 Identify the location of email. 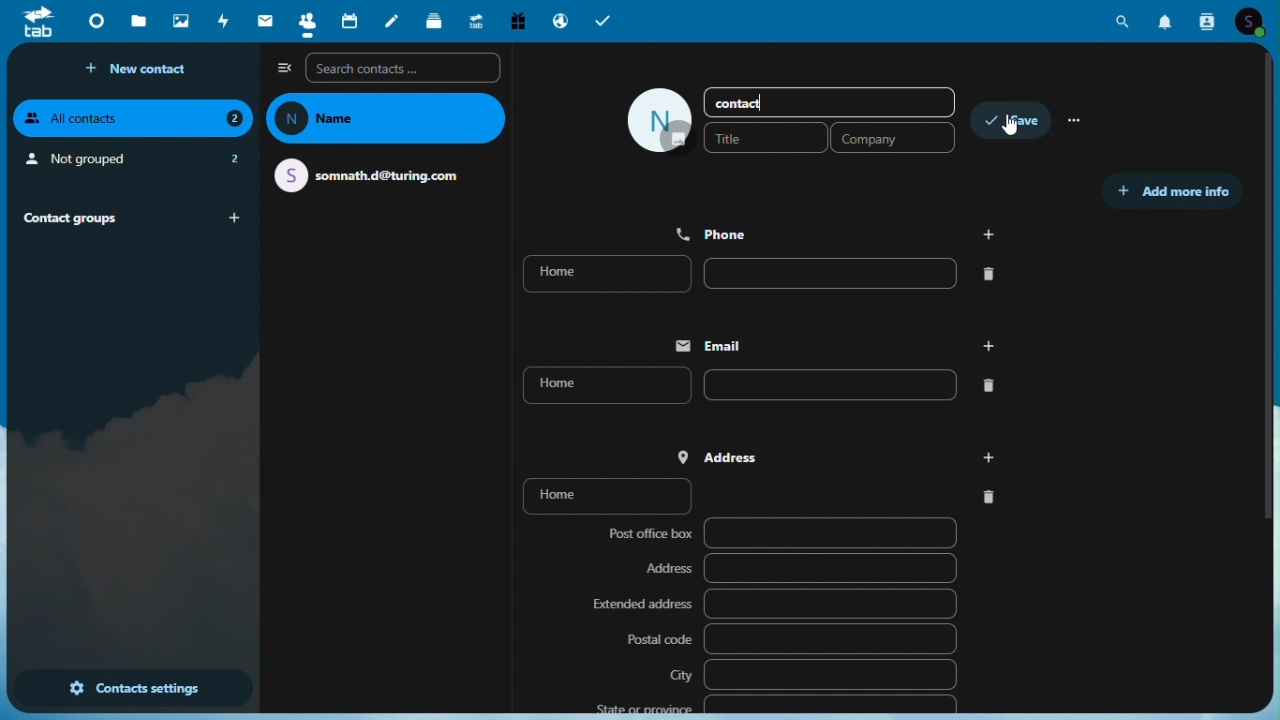
(375, 174).